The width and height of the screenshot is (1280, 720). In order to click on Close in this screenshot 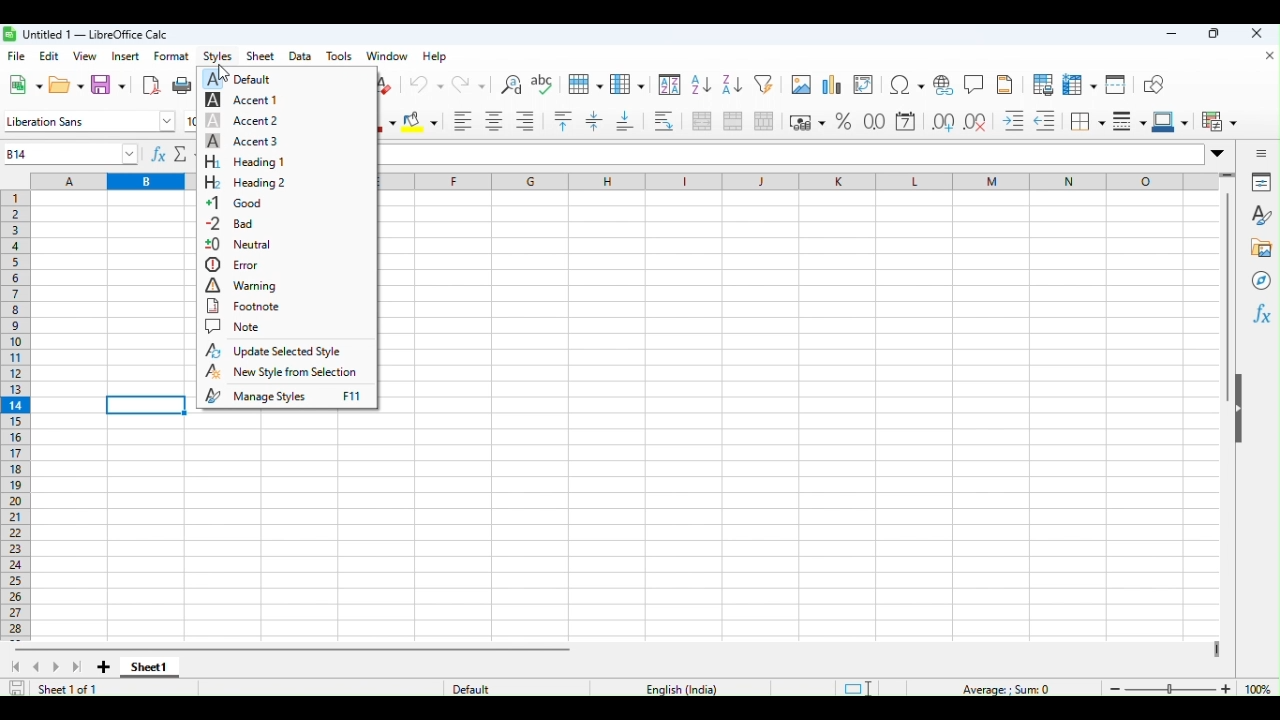, I will do `click(1257, 35)`.